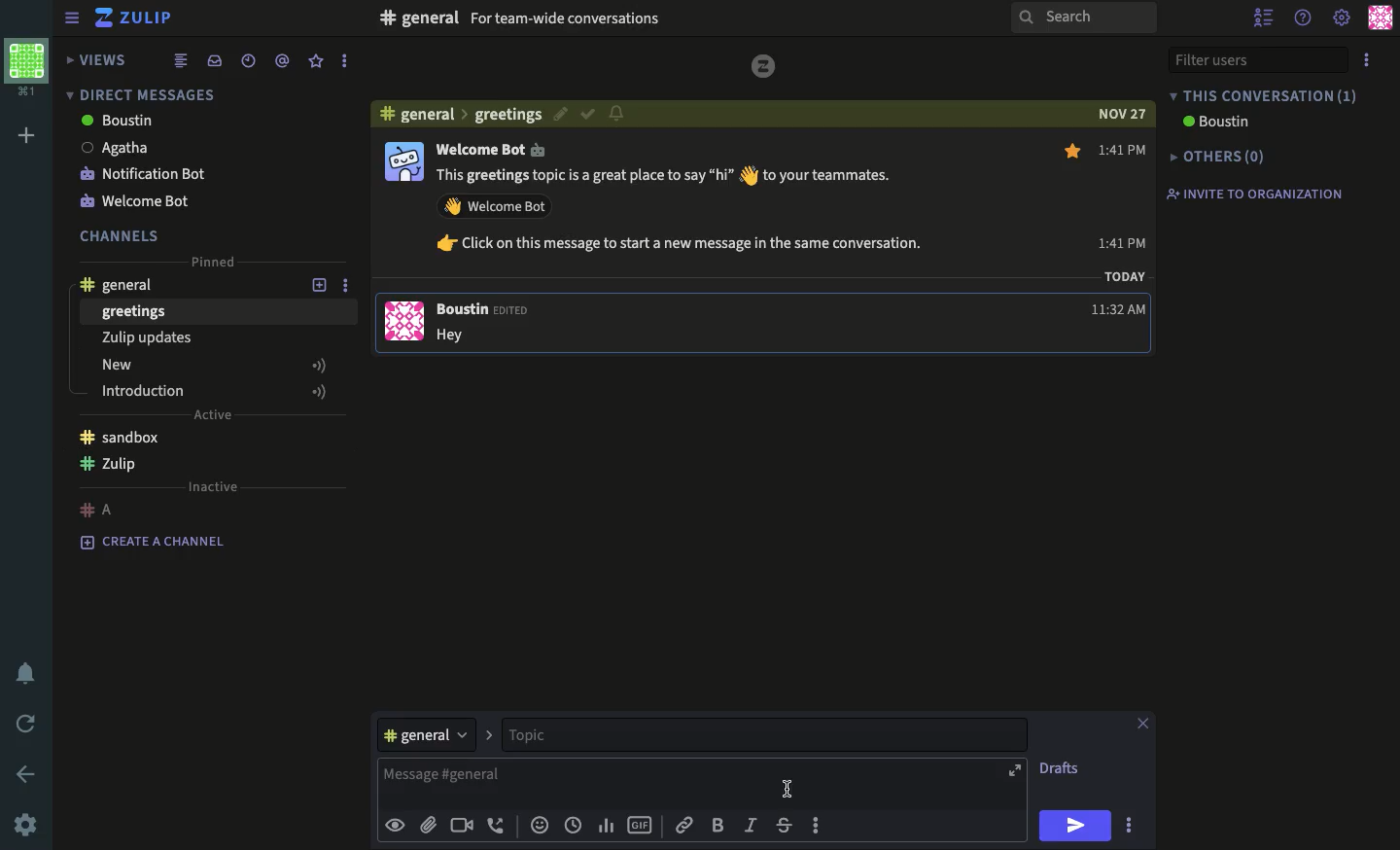 The image size is (1400, 850). What do you see at coordinates (153, 540) in the screenshot?
I see `create a channel` at bounding box center [153, 540].